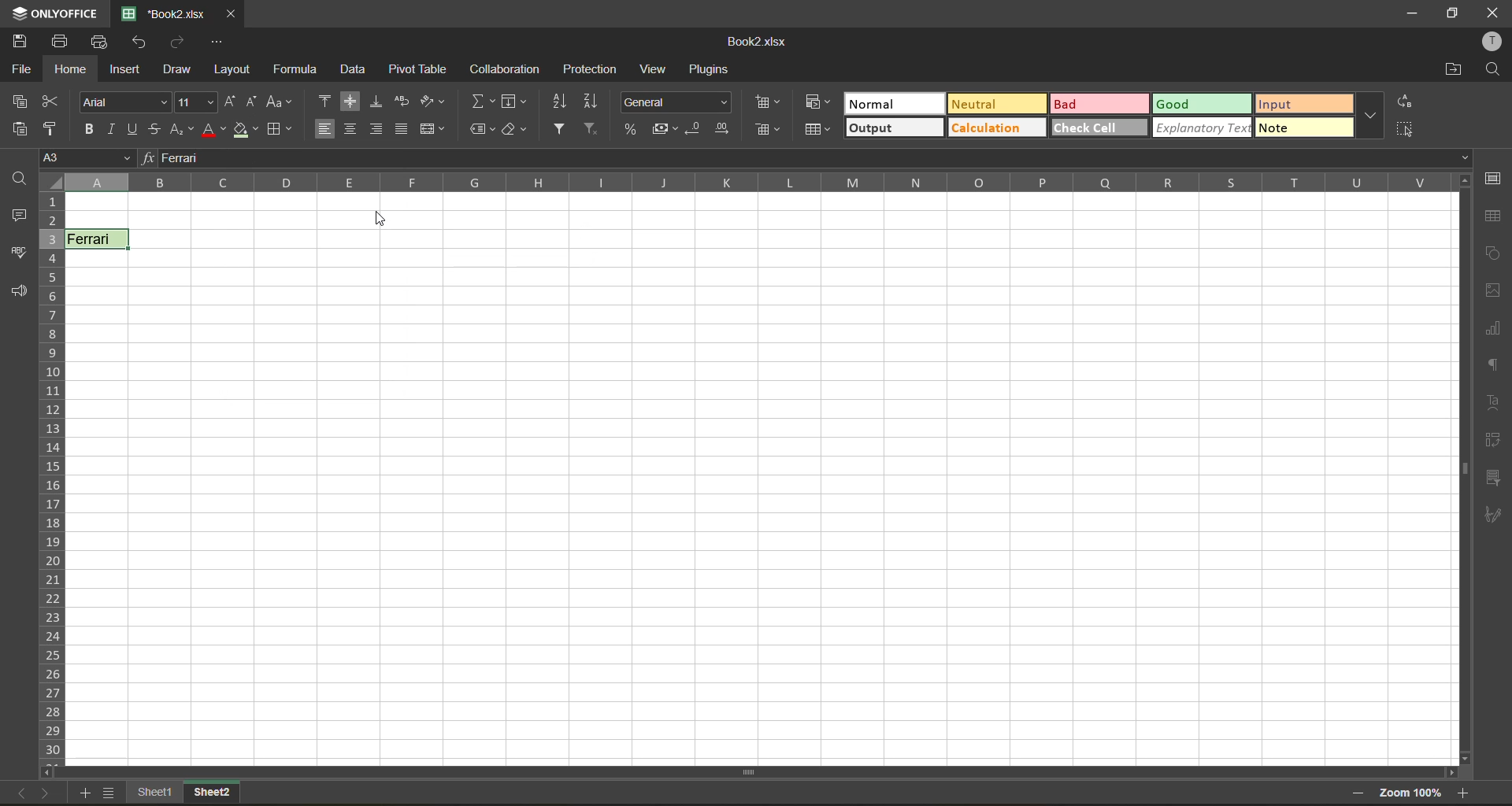 Image resolution: width=1512 pixels, height=806 pixels. What do you see at coordinates (772, 131) in the screenshot?
I see `format as table` at bounding box center [772, 131].